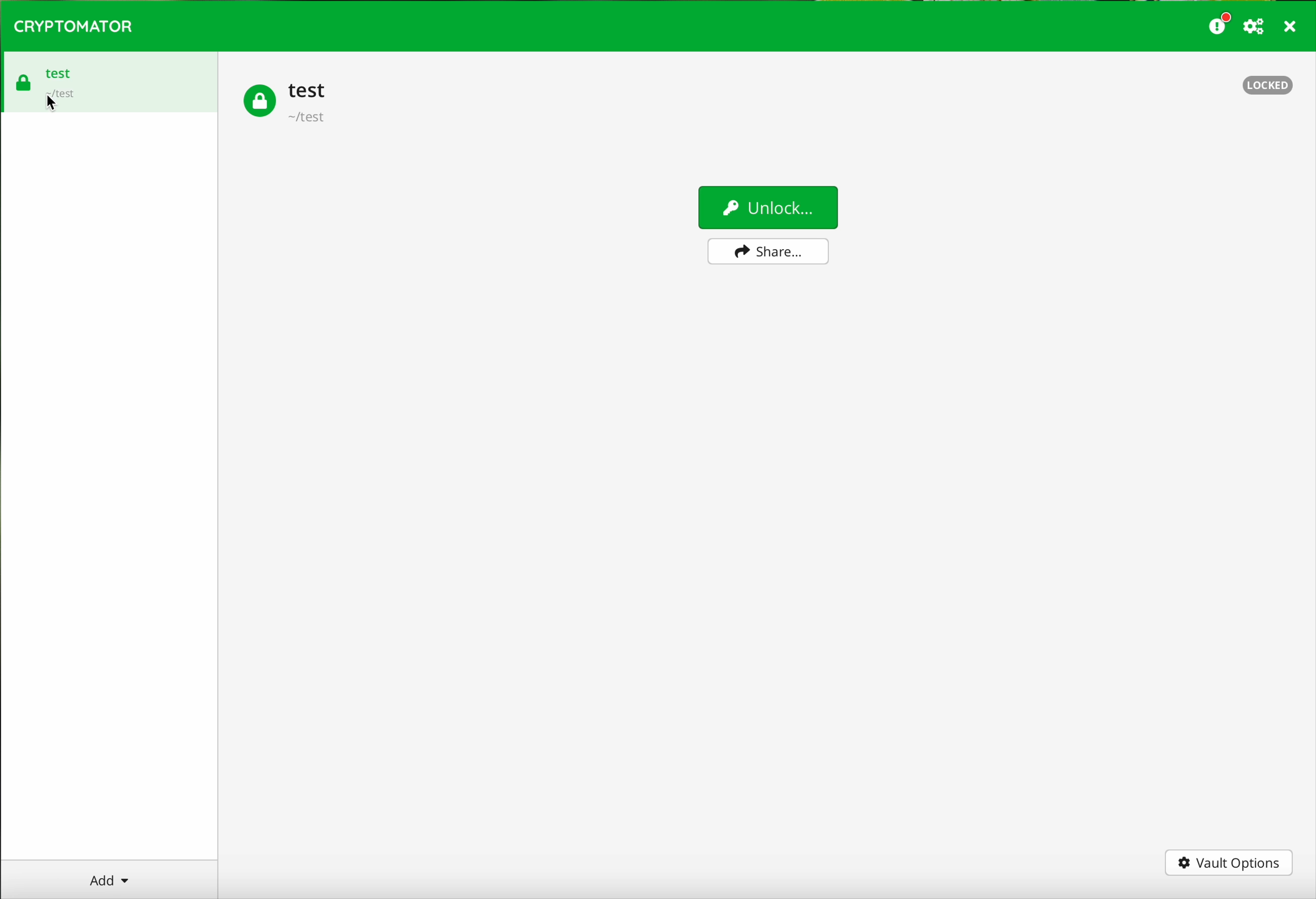  Describe the element at coordinates (285, 100) in the screenshot. I see `test vault` at that location.